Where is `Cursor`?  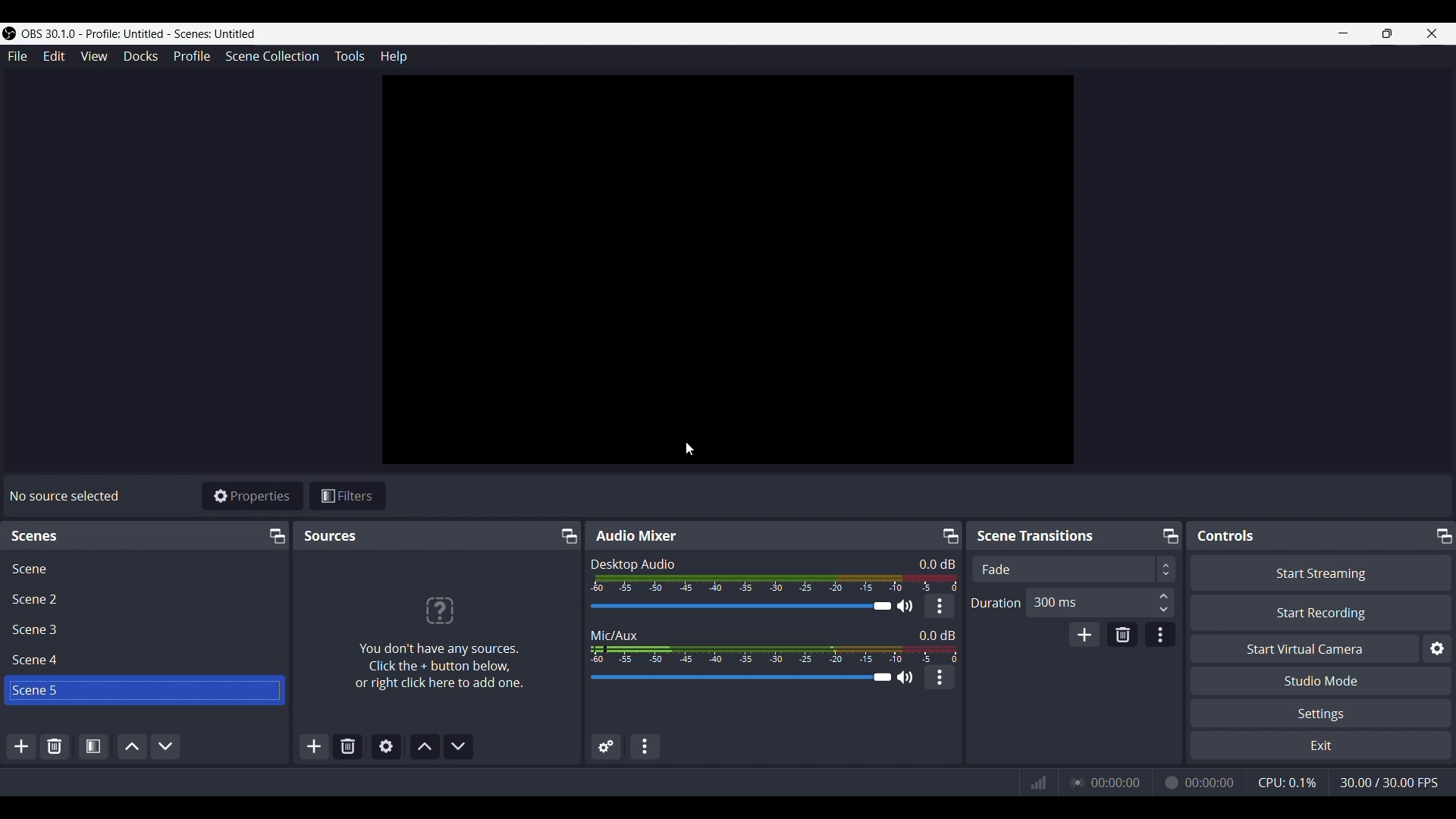
Cursor is located at coordinates (691, 450).